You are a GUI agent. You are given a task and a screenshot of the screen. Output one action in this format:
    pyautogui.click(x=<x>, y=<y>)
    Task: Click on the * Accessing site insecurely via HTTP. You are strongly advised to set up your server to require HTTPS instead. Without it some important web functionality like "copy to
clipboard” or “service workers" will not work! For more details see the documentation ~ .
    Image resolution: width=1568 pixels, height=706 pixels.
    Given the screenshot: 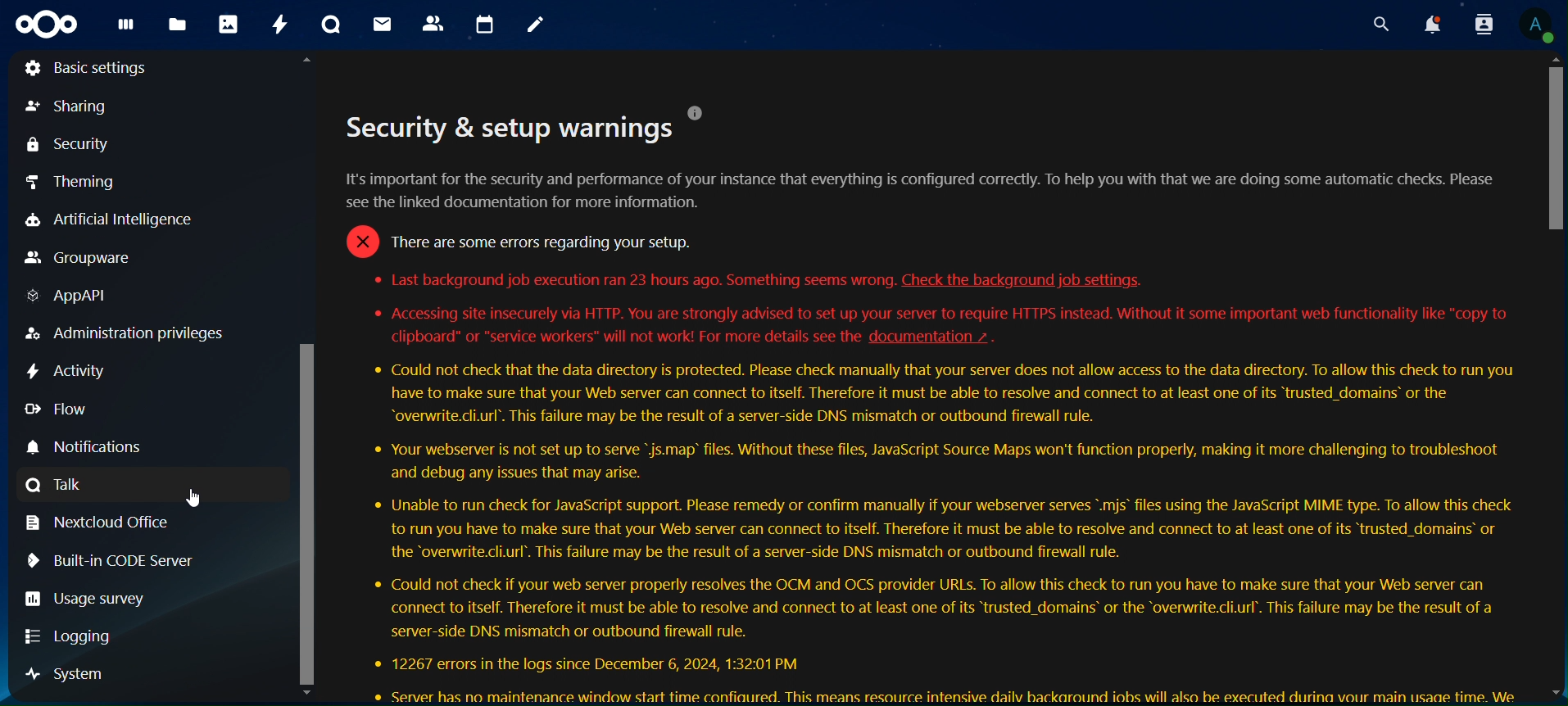 What is the action you would take?
    pyautogui.click(x=947, y=327)
    